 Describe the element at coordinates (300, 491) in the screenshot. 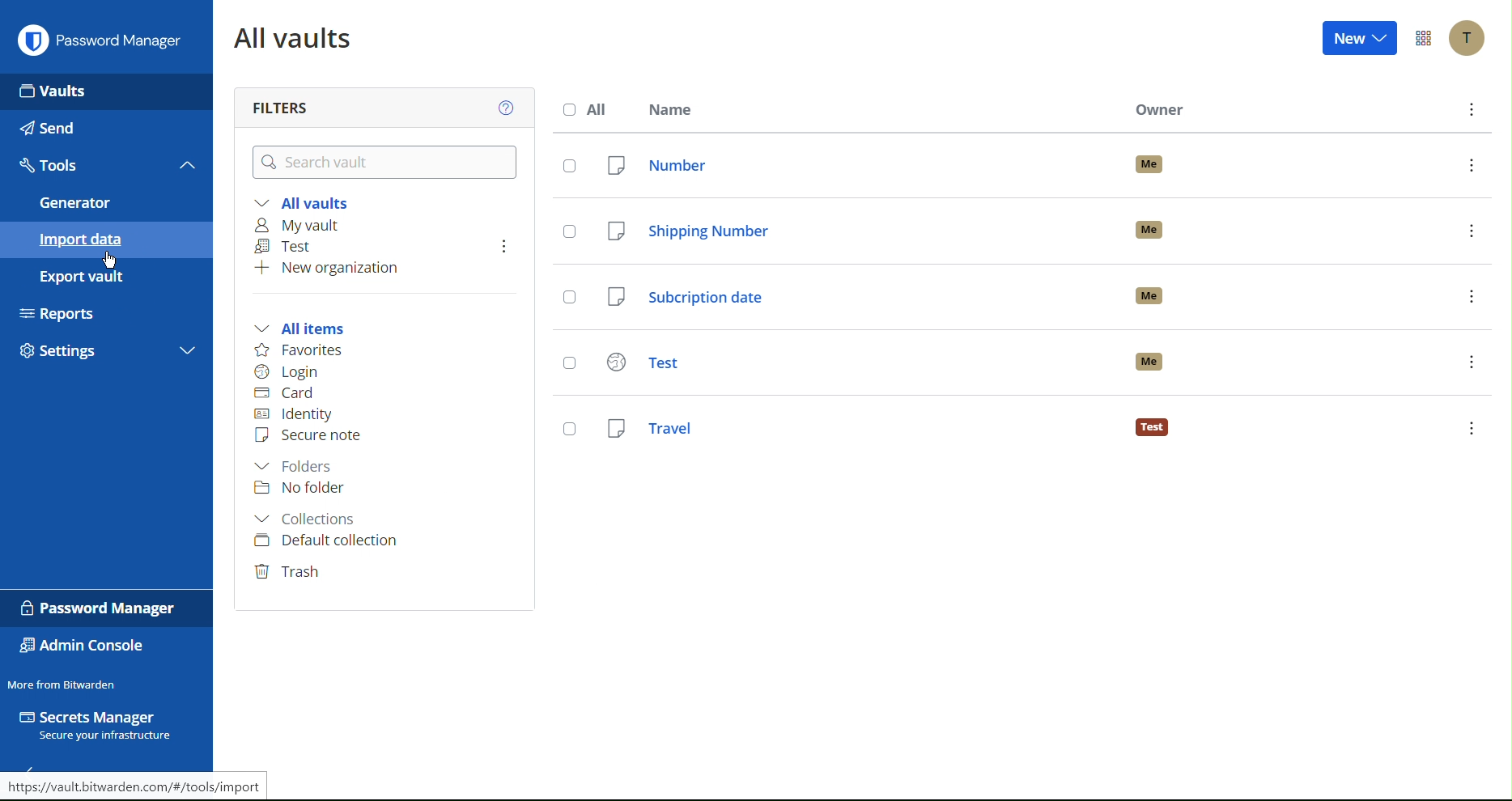

I see `No folder` at that location.